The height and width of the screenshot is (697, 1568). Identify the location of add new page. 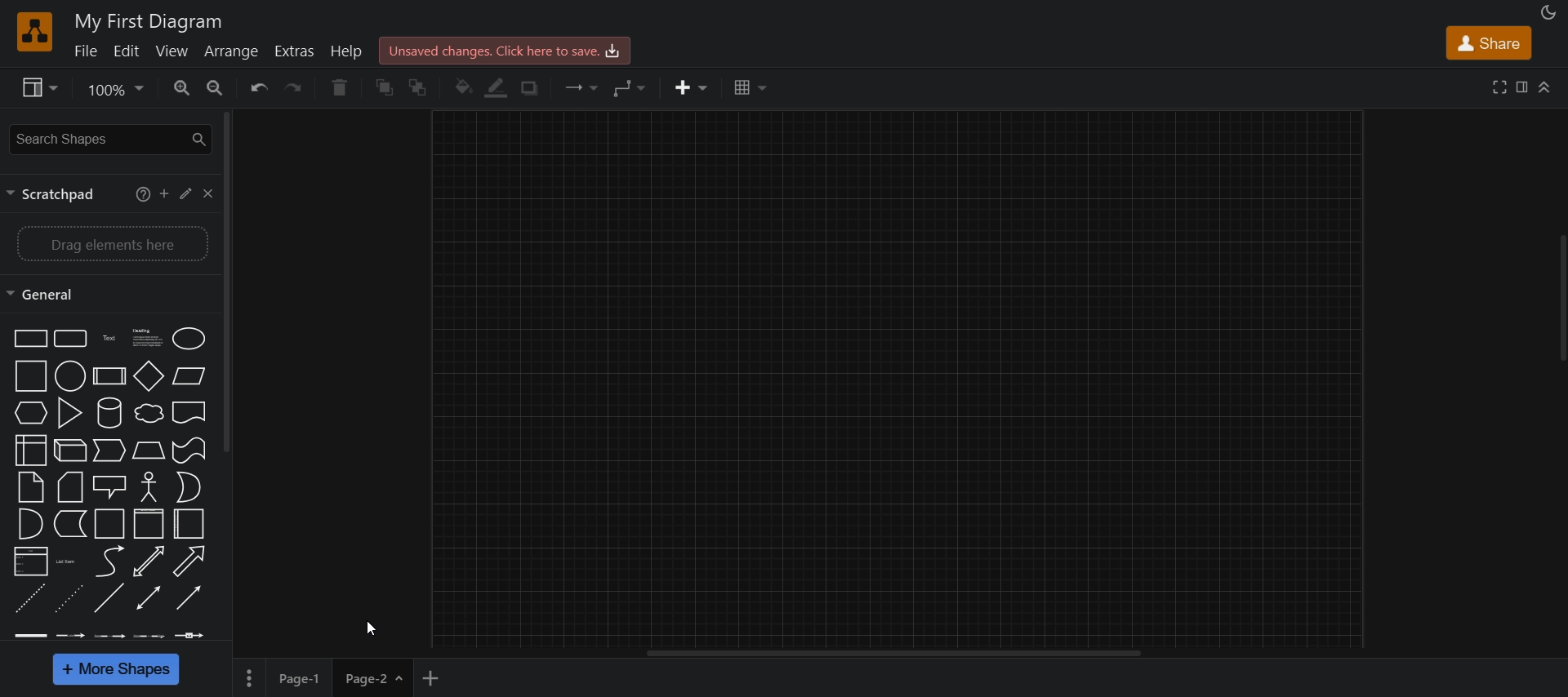
(436, 679).